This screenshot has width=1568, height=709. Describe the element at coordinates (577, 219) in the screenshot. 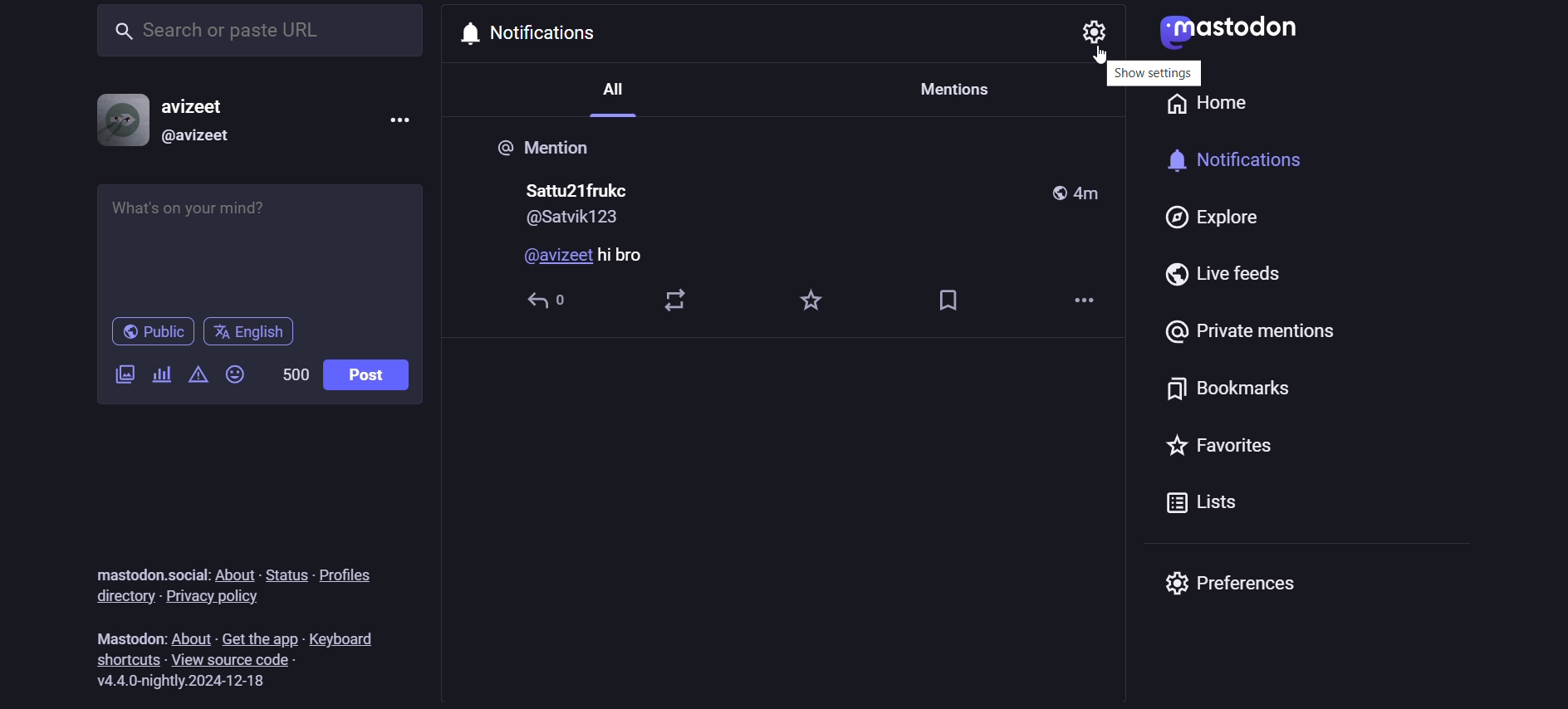

I see `@satvik@123` at that location.